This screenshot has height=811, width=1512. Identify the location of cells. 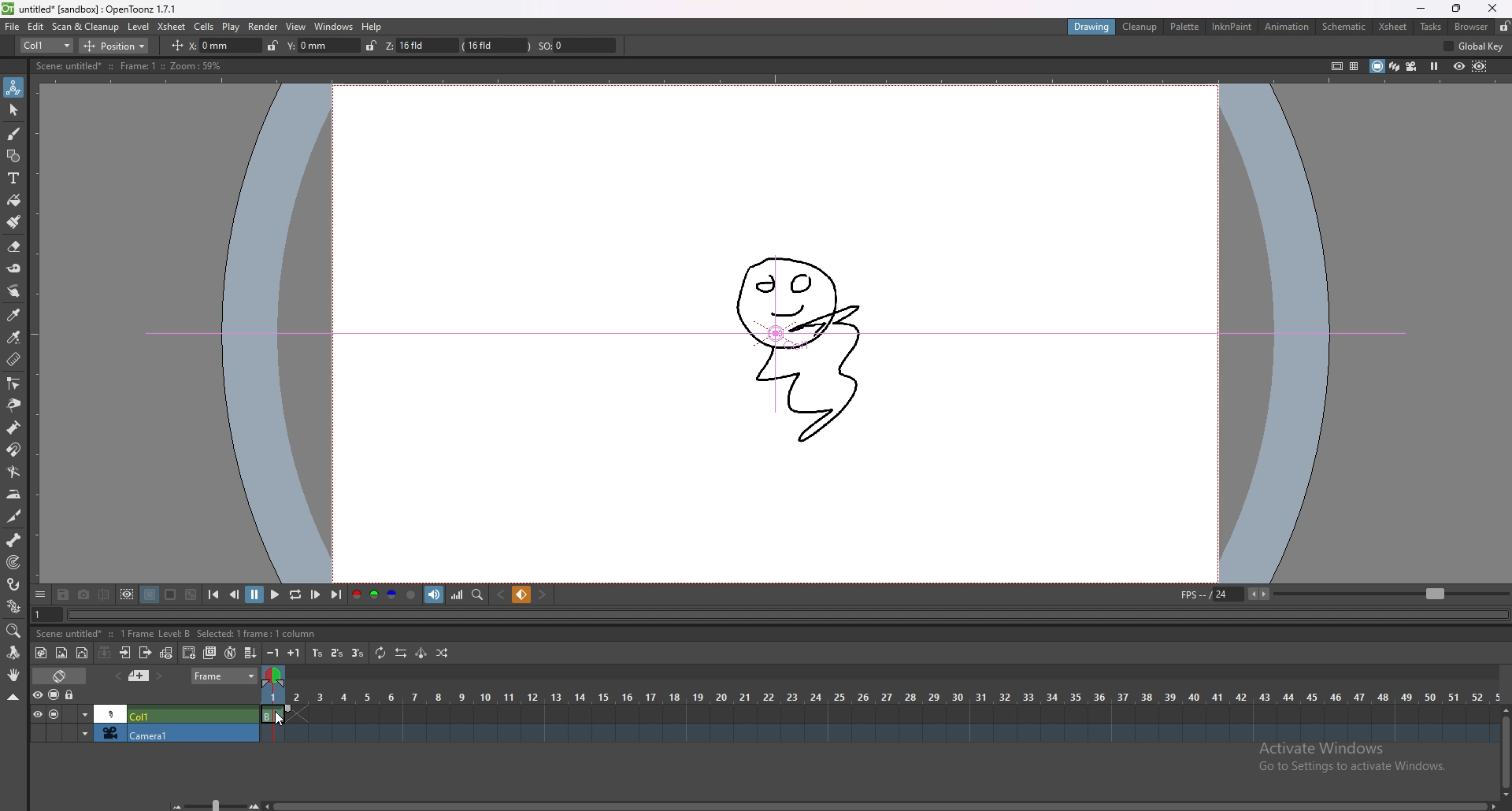
(204, 26).